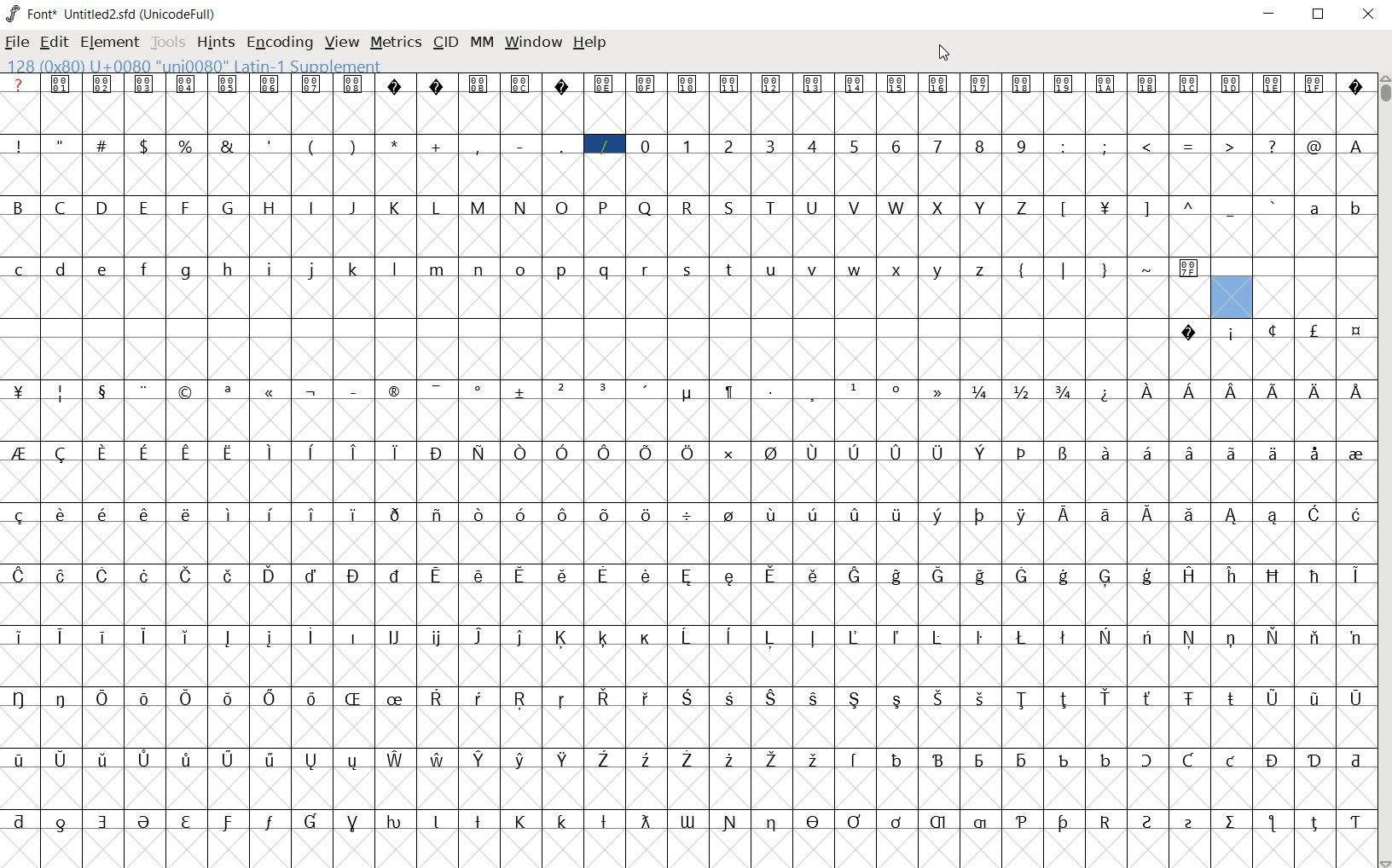 The image size is (1392, 868). Describe the element at coordinates (812, 454) in the screenshot. I see `glyph` at that location.